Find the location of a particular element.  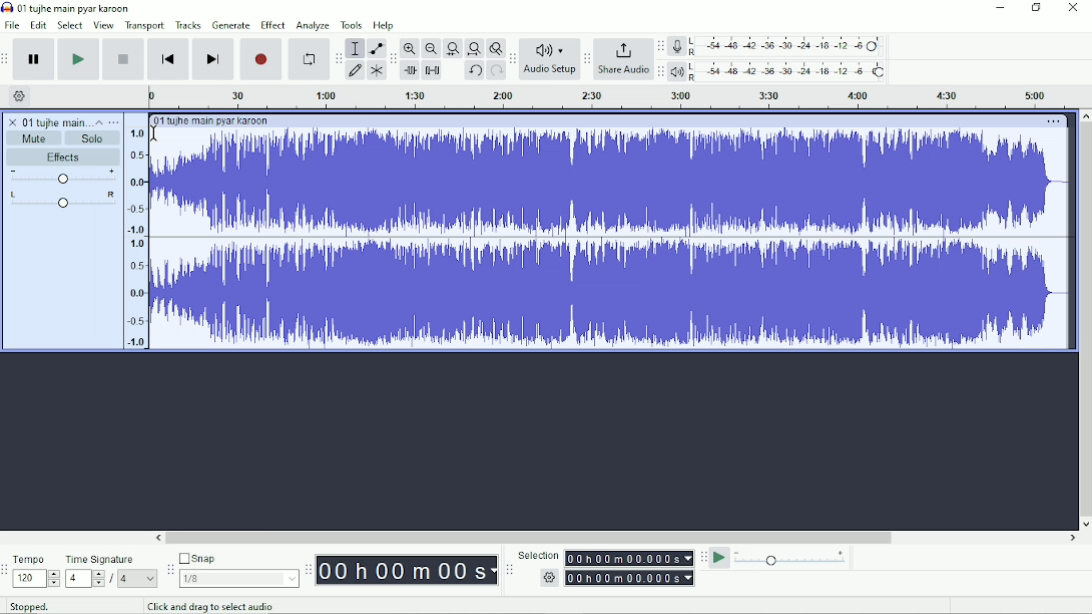

Audacity edit toolbar is located at coordinates (392, 59).